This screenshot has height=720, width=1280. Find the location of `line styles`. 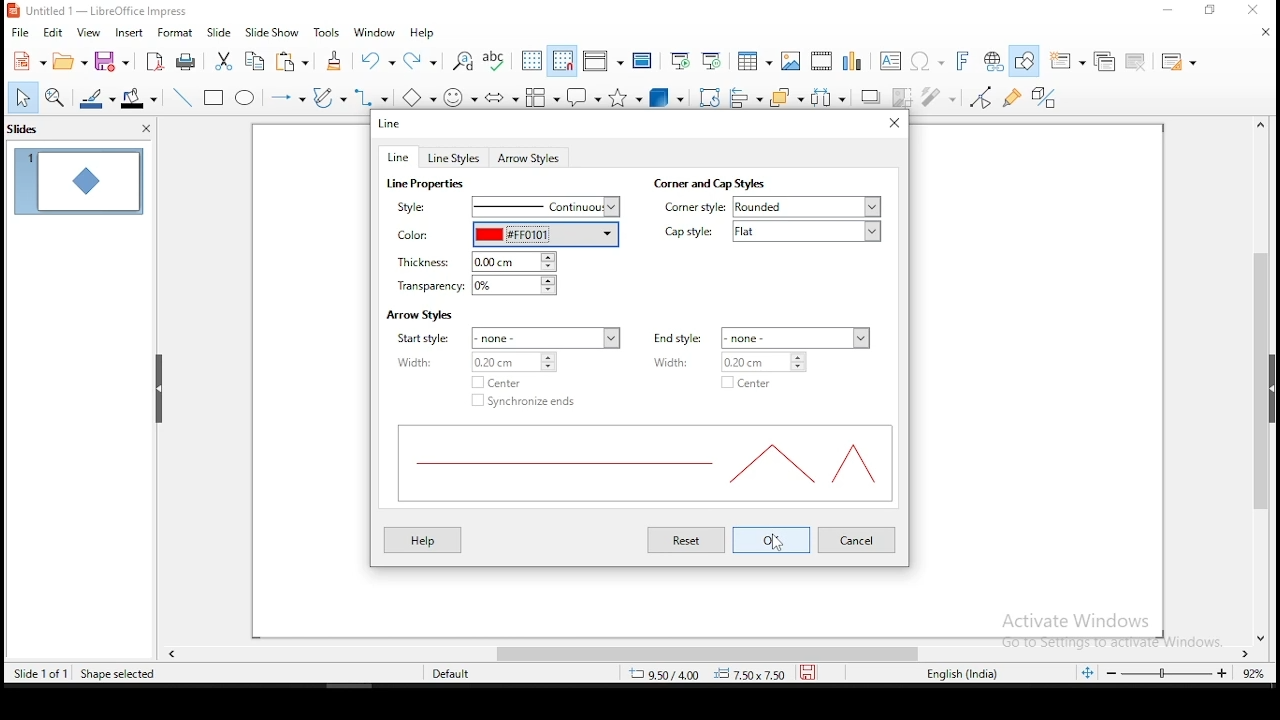

line styles is located at coordinates (457, 157).